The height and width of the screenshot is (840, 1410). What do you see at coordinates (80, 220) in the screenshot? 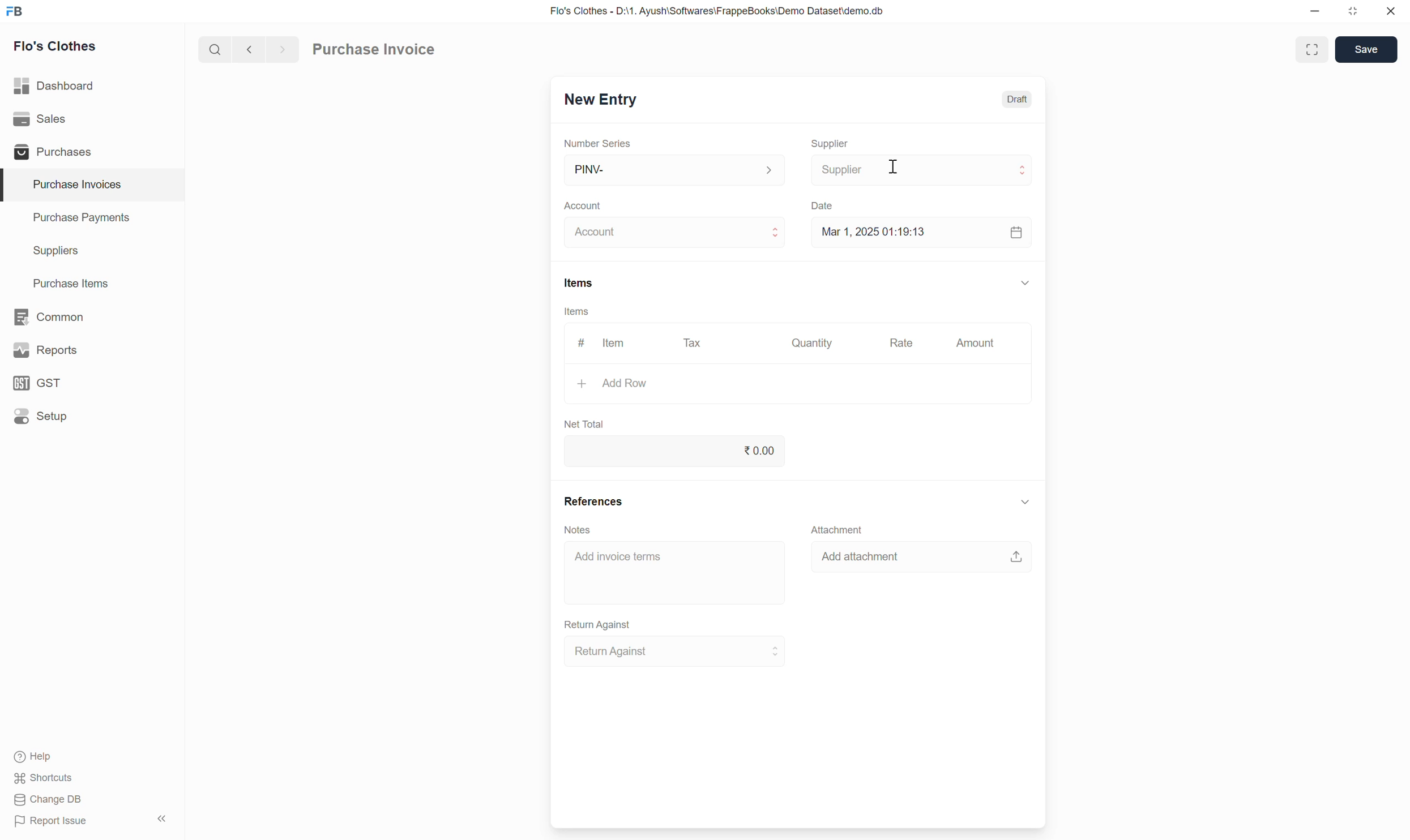
I see `Purchase Payments` at bounding box center [80, 220].